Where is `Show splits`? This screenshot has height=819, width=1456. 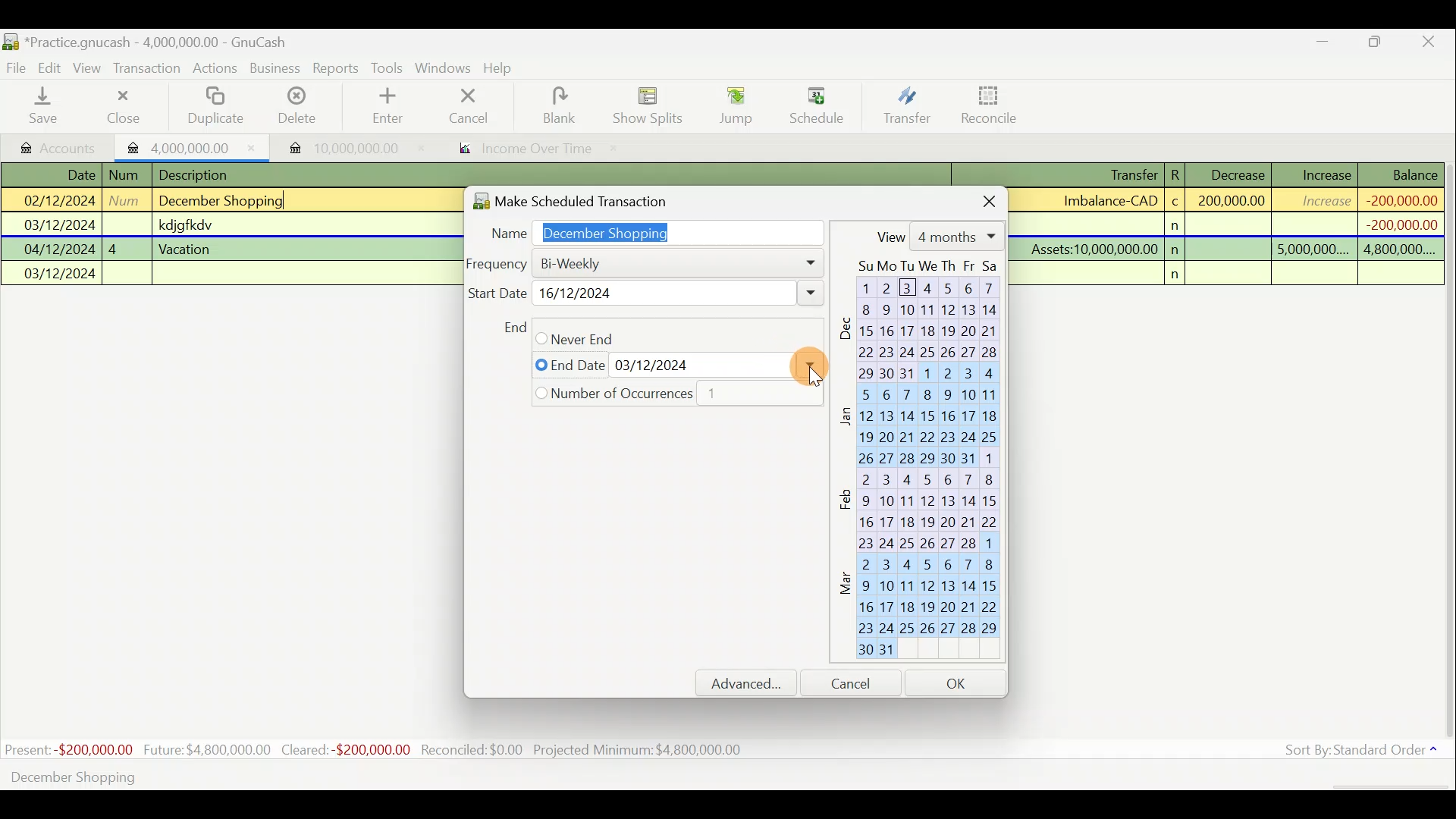
Show splits is located at coordinates (652, 105).